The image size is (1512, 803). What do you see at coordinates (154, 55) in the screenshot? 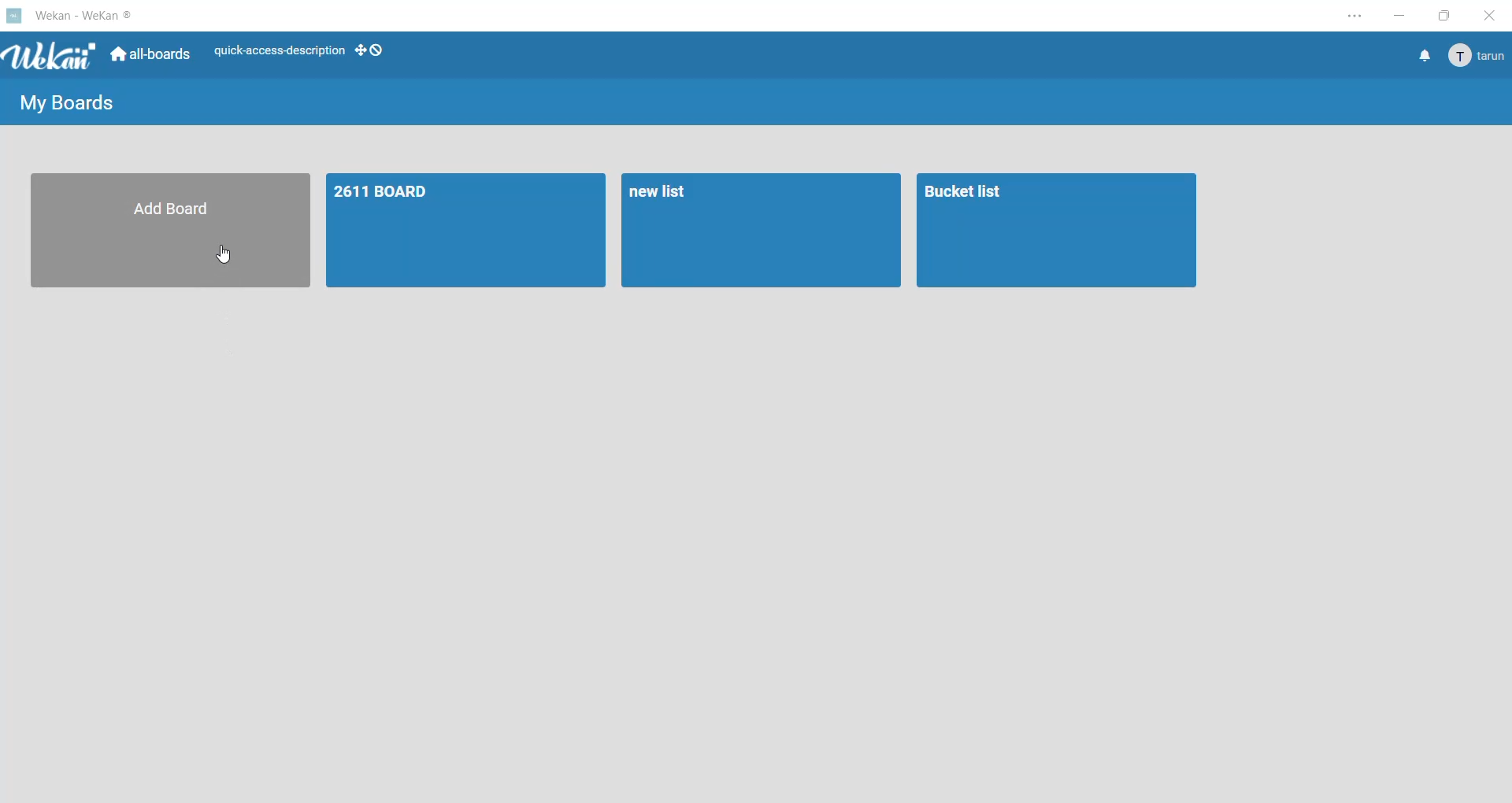
I see `all boards` at bounding box center [154, 55].